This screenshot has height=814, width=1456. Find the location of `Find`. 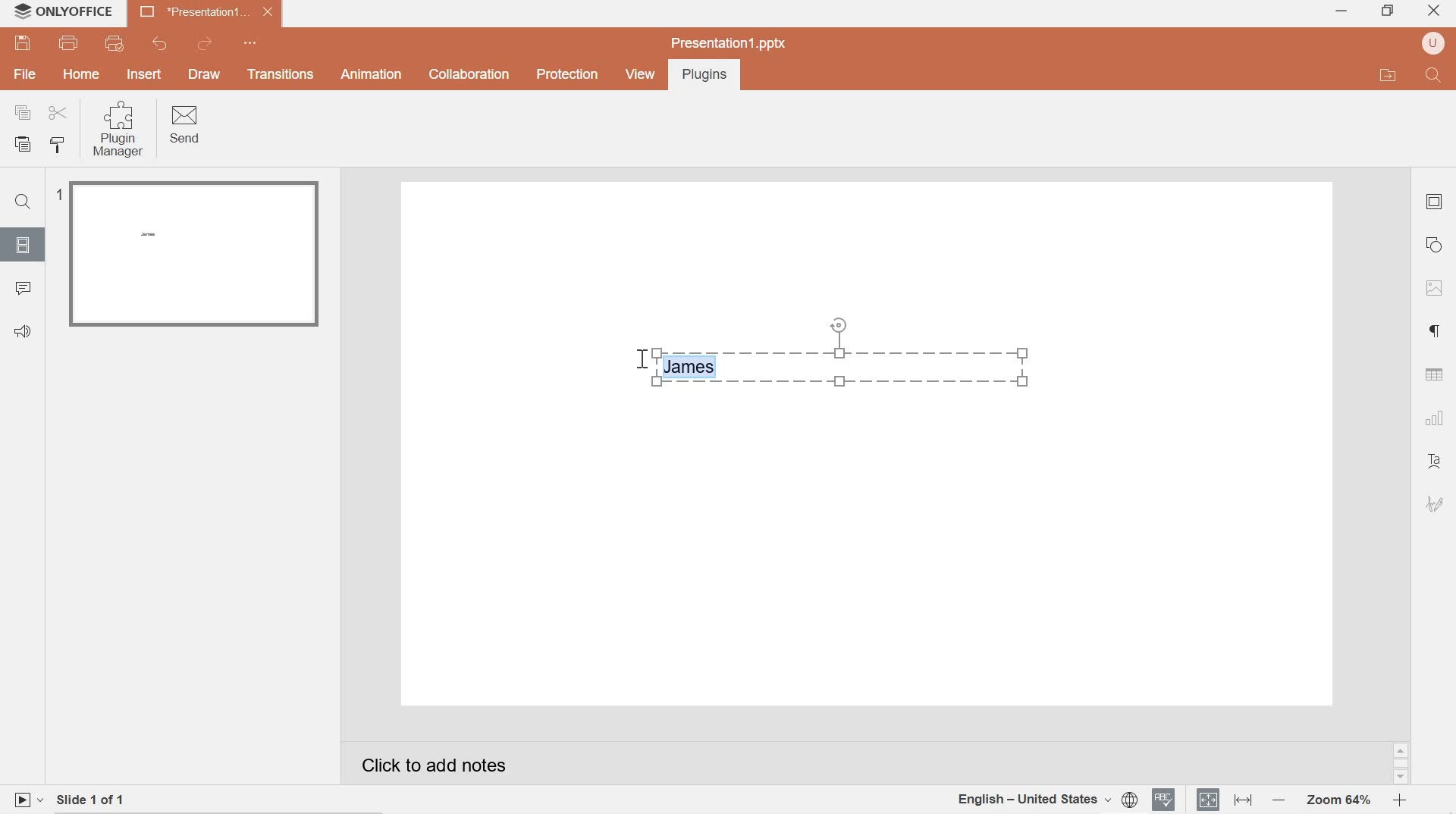

Find is located at coordinates (1435, 75).